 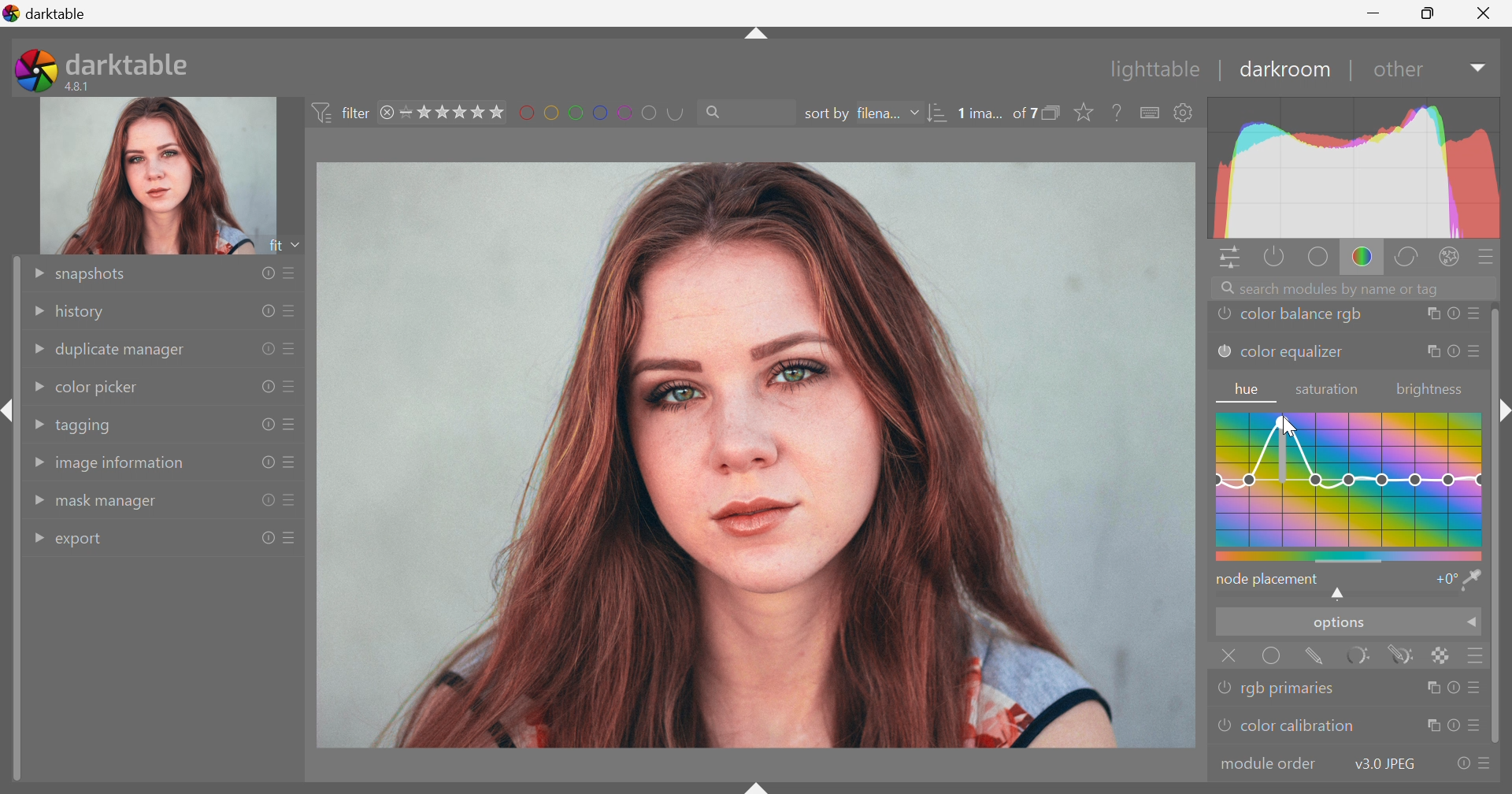 What do you see at coordinates (36, 536) in the screenshot?
I see `Drop Down` at bounding box center [36, 536].